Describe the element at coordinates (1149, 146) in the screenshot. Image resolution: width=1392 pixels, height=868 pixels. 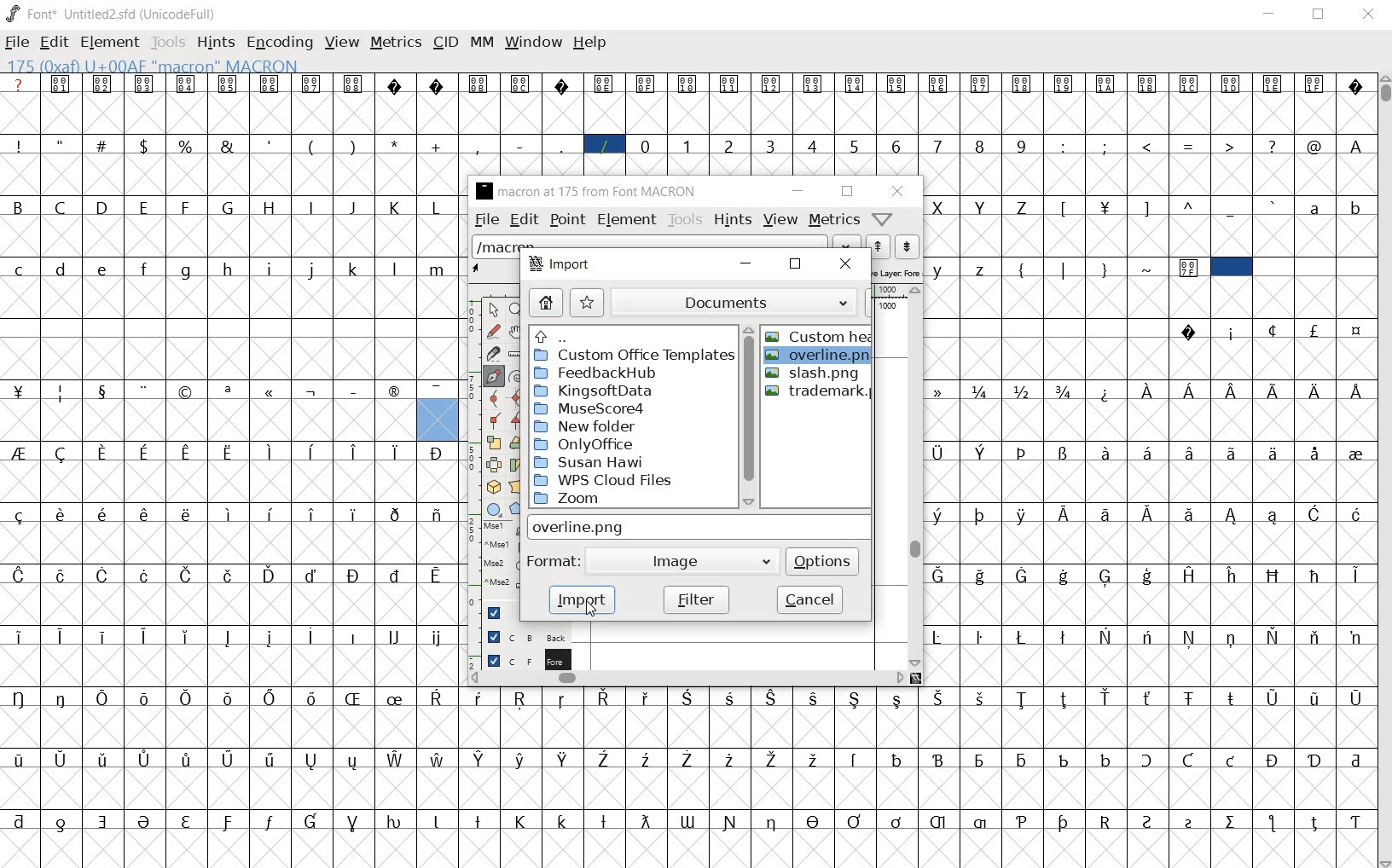
I see `<` at that location.